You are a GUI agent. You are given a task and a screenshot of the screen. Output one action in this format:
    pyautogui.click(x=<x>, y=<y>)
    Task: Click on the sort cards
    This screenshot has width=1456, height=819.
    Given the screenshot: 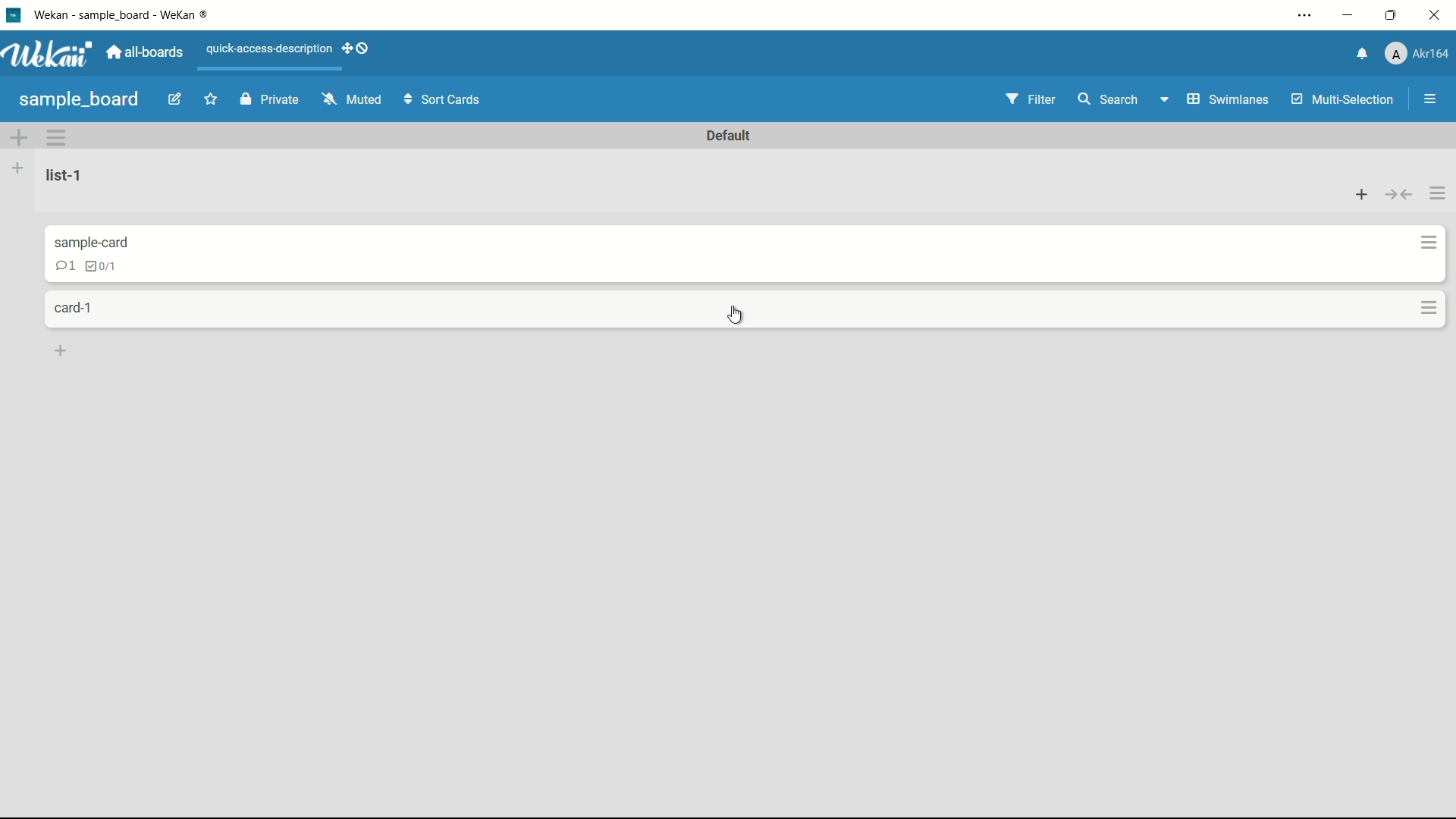 What is the action you would take?
    pyautogui.click(x=447, y=99)
    